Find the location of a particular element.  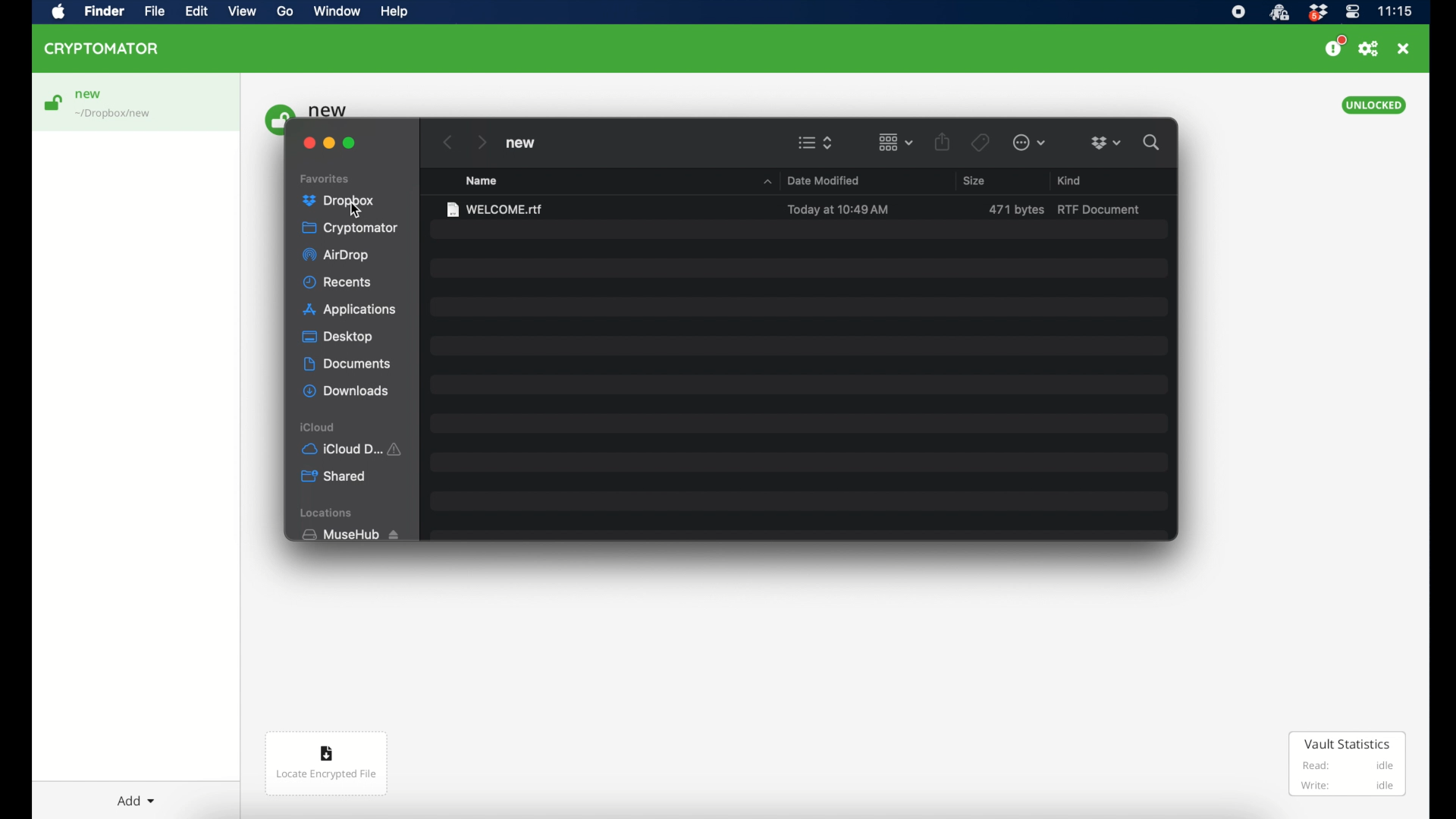

support us is located at coordinates (1335, 46).